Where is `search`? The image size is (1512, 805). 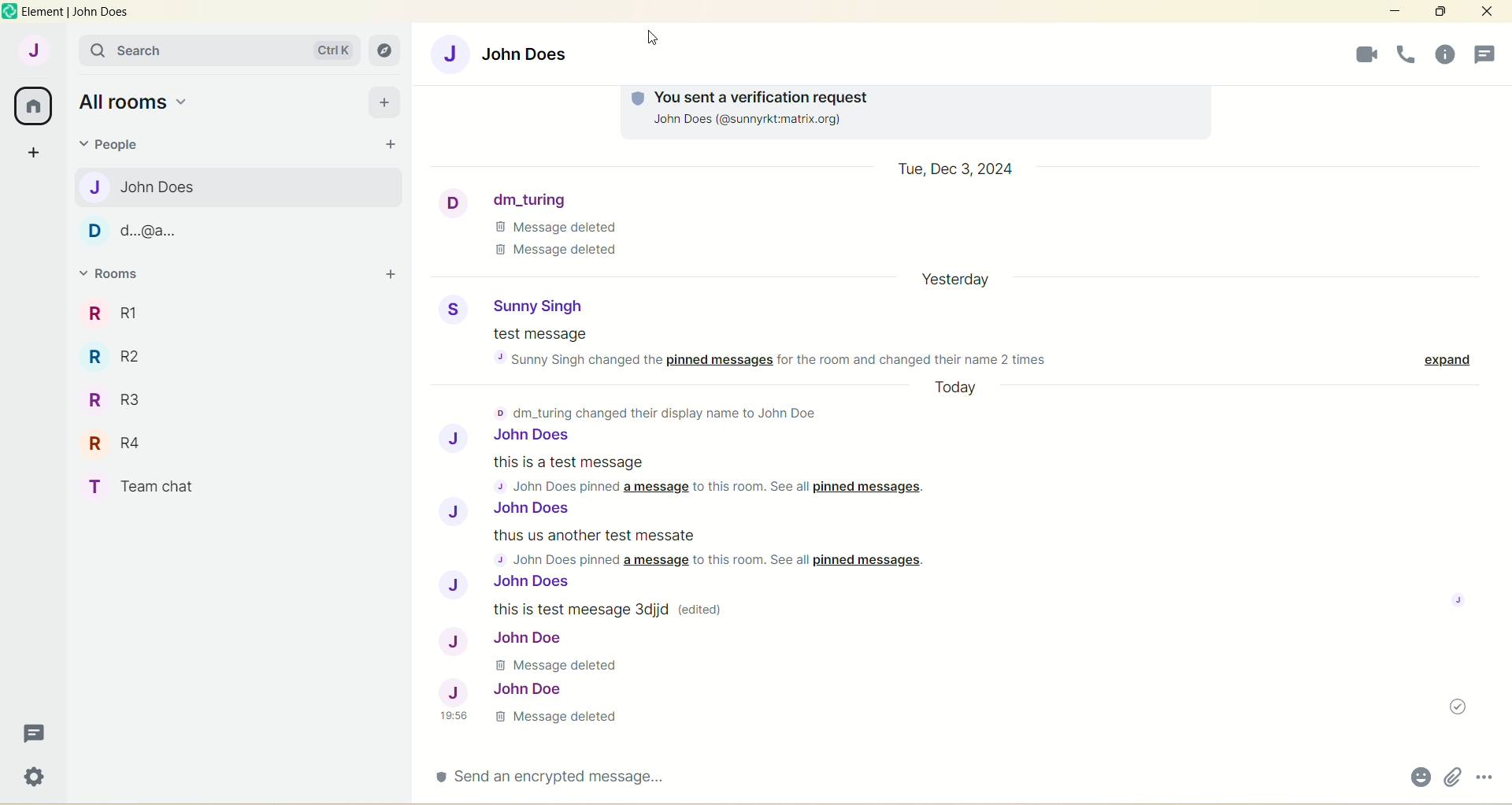
search is located at coordinates (124, 52).